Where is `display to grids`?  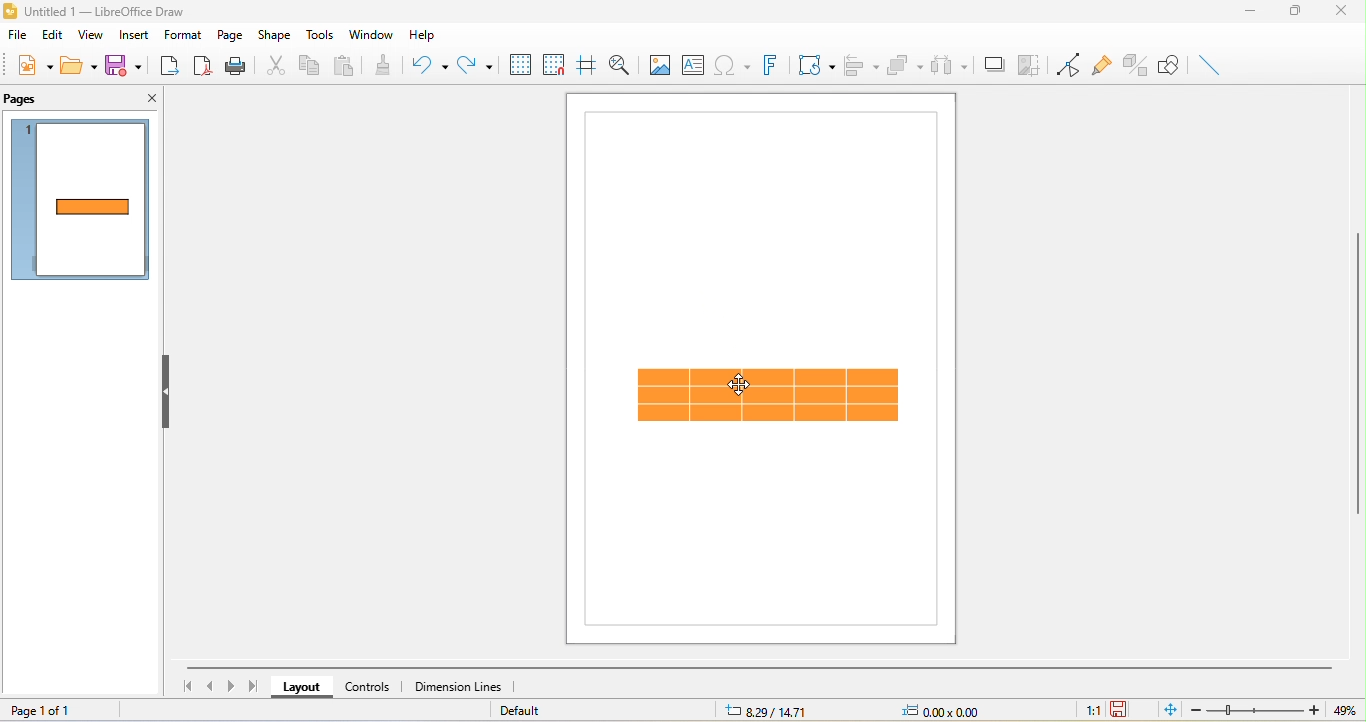
display to grids is located at coordinates (518, 64).